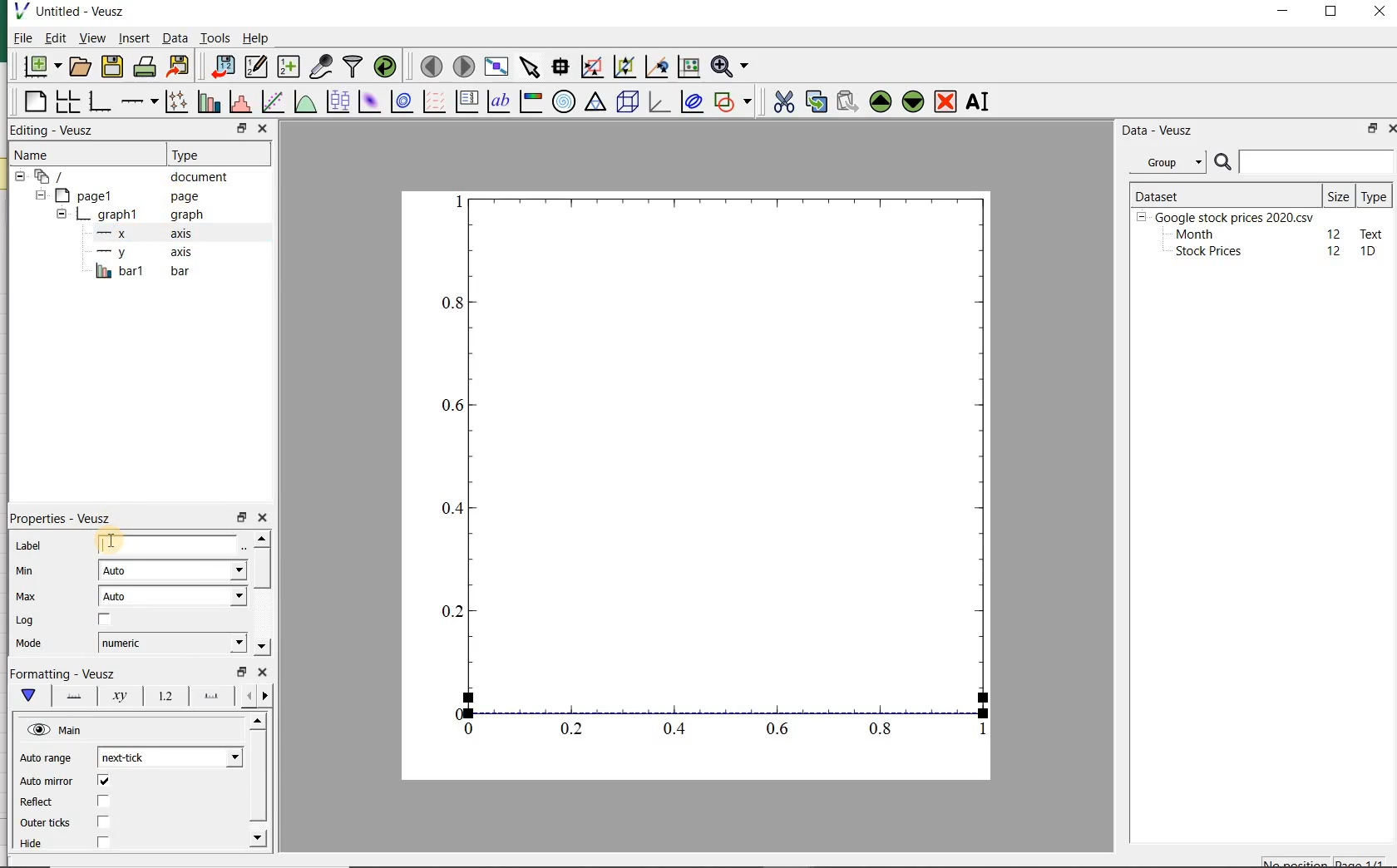 The height and width of the screenshot is (868, 1397). Describe the element at coordinates (129, 177) in the screenshot. I see `document` at that location.